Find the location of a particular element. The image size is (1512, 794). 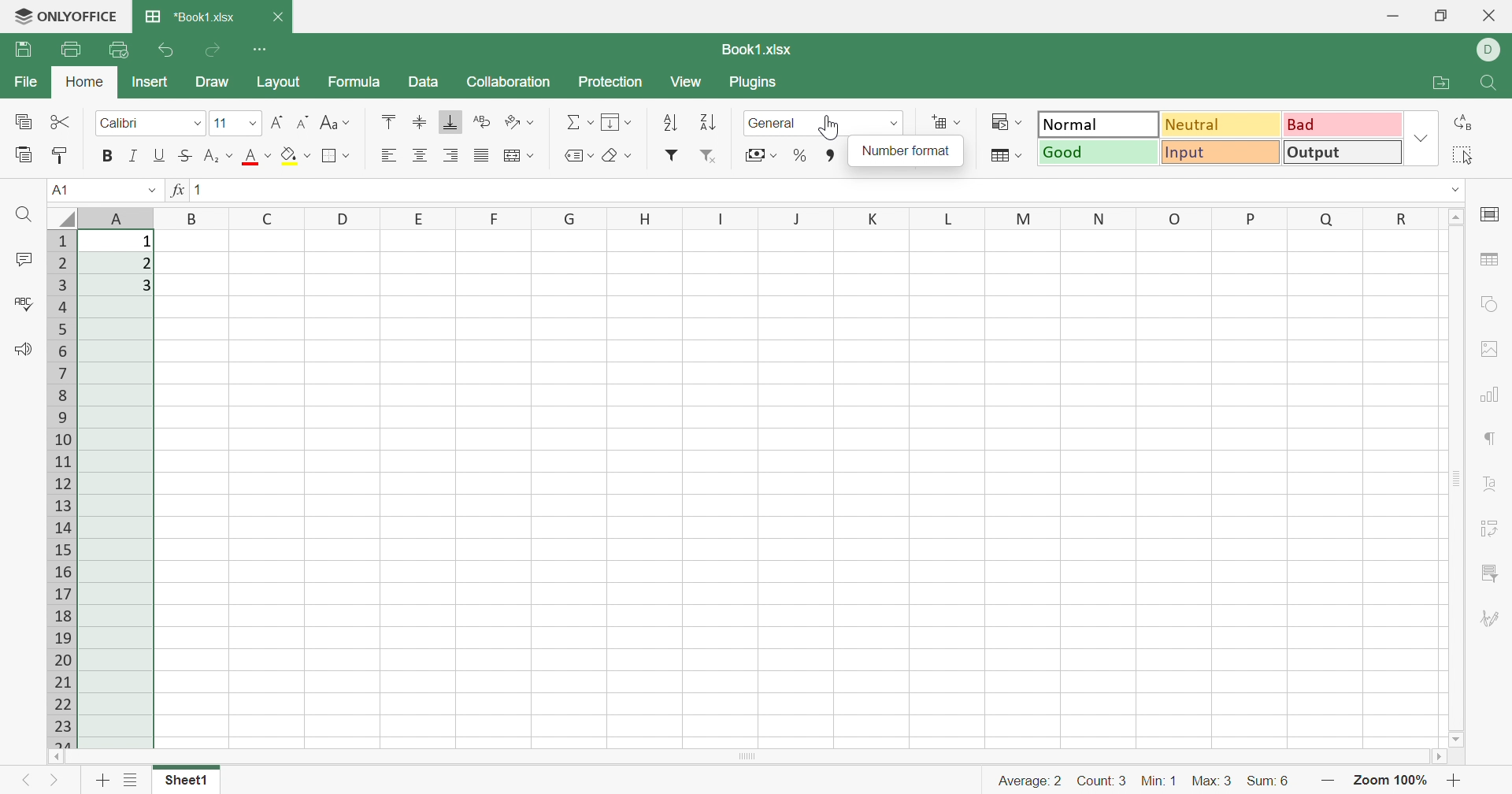

Drop down is located at coordinates (1423, 137).